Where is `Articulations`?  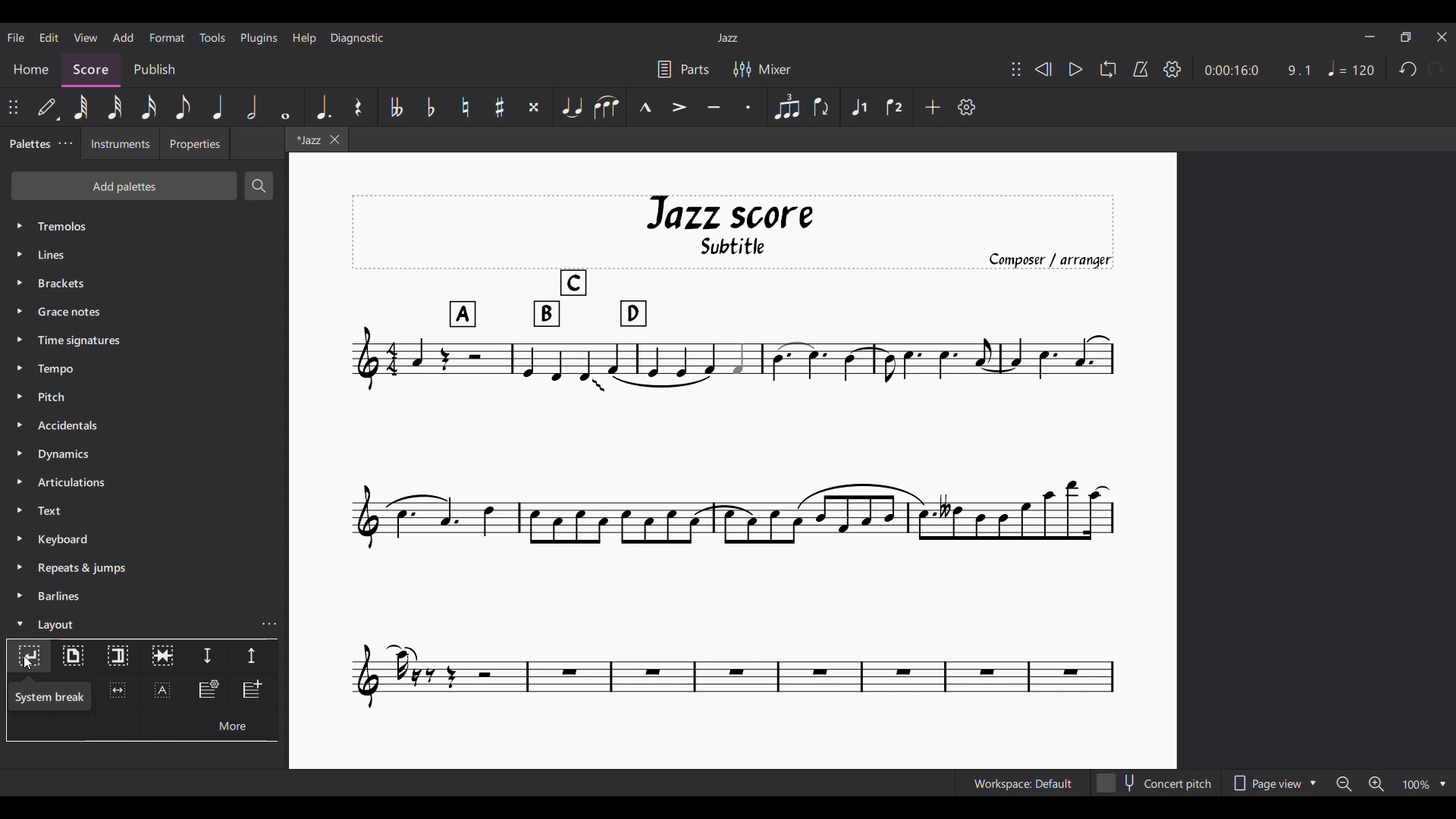
Articulations is located at coordinates (144, 482).